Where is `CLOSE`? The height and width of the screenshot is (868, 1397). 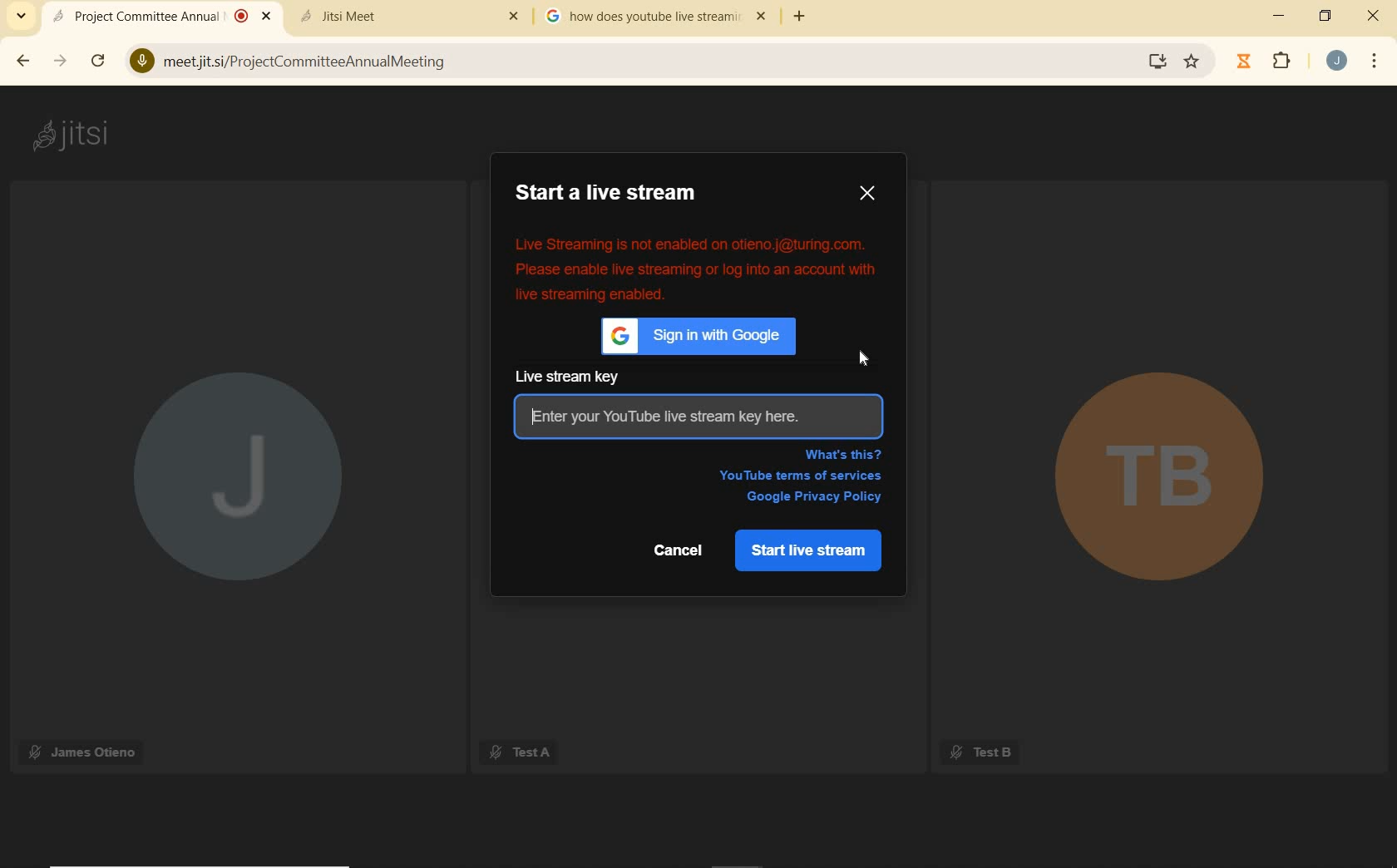 CLOSE is located at coordinates (866, 195).